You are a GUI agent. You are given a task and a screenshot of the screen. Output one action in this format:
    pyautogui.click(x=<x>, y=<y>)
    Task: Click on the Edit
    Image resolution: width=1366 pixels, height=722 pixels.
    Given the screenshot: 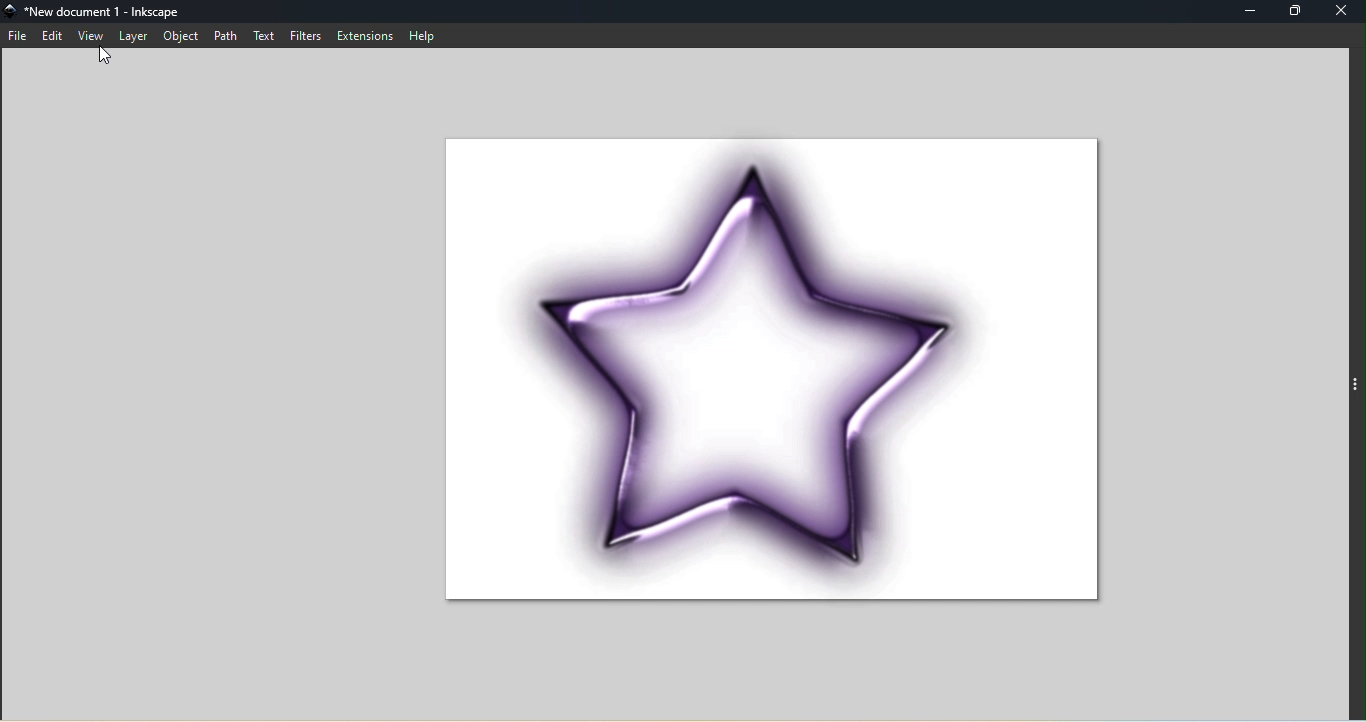 What is the action you would take?
    pyautogui.click(x=50, y=34)
    